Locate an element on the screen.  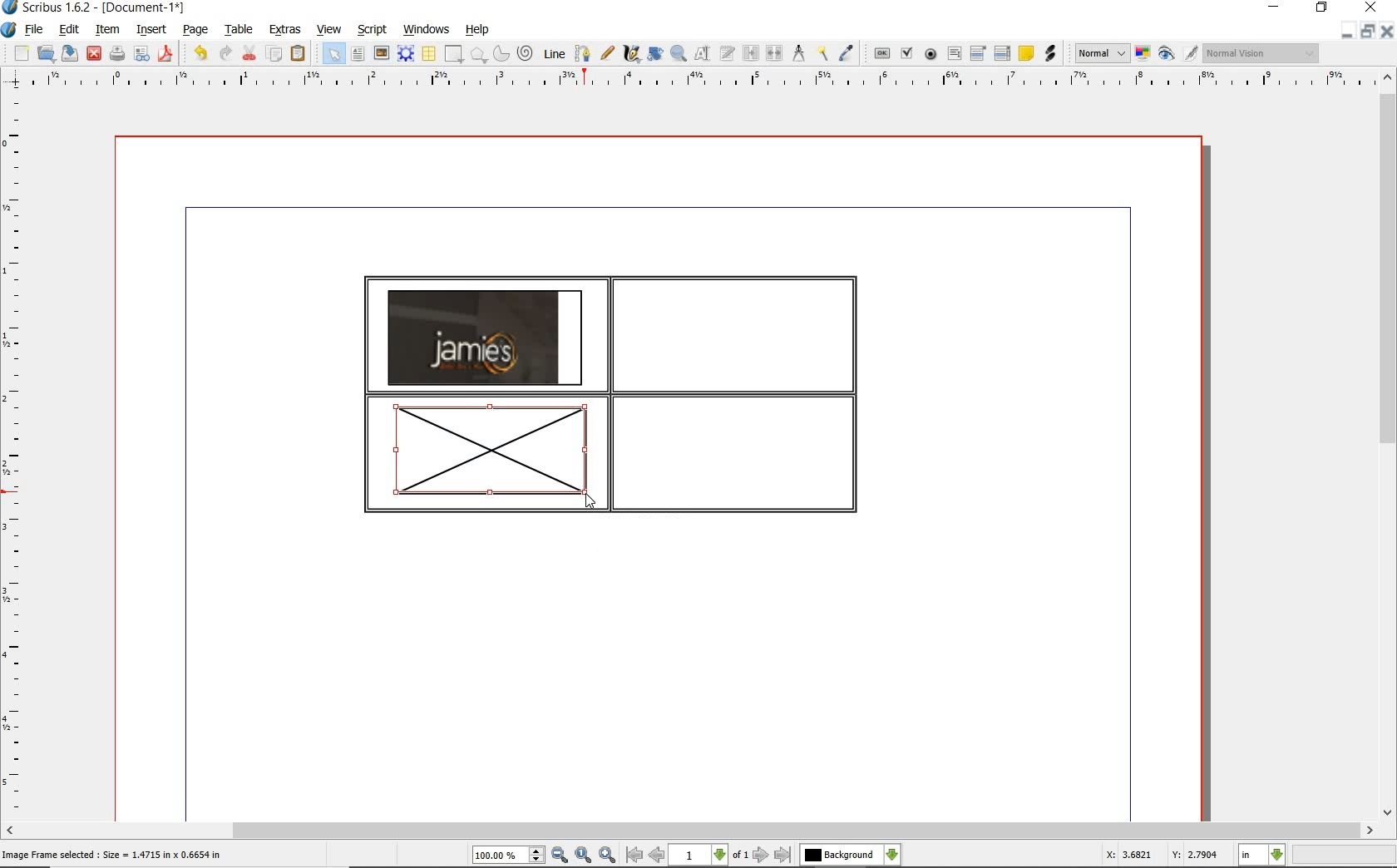
script is located at coordinates (373, 30).